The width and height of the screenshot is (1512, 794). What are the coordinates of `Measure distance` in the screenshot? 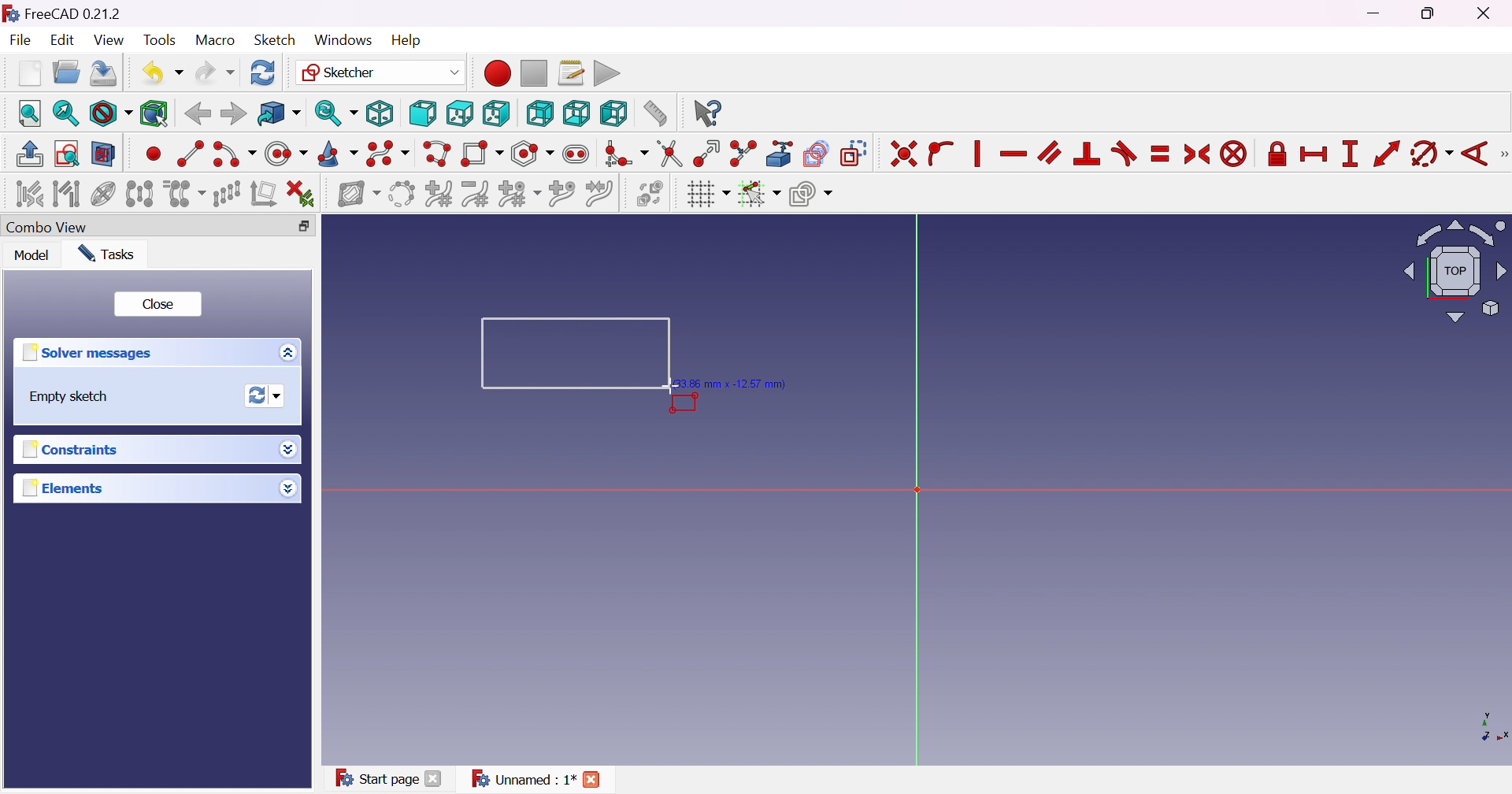 It's located at (654, 113).